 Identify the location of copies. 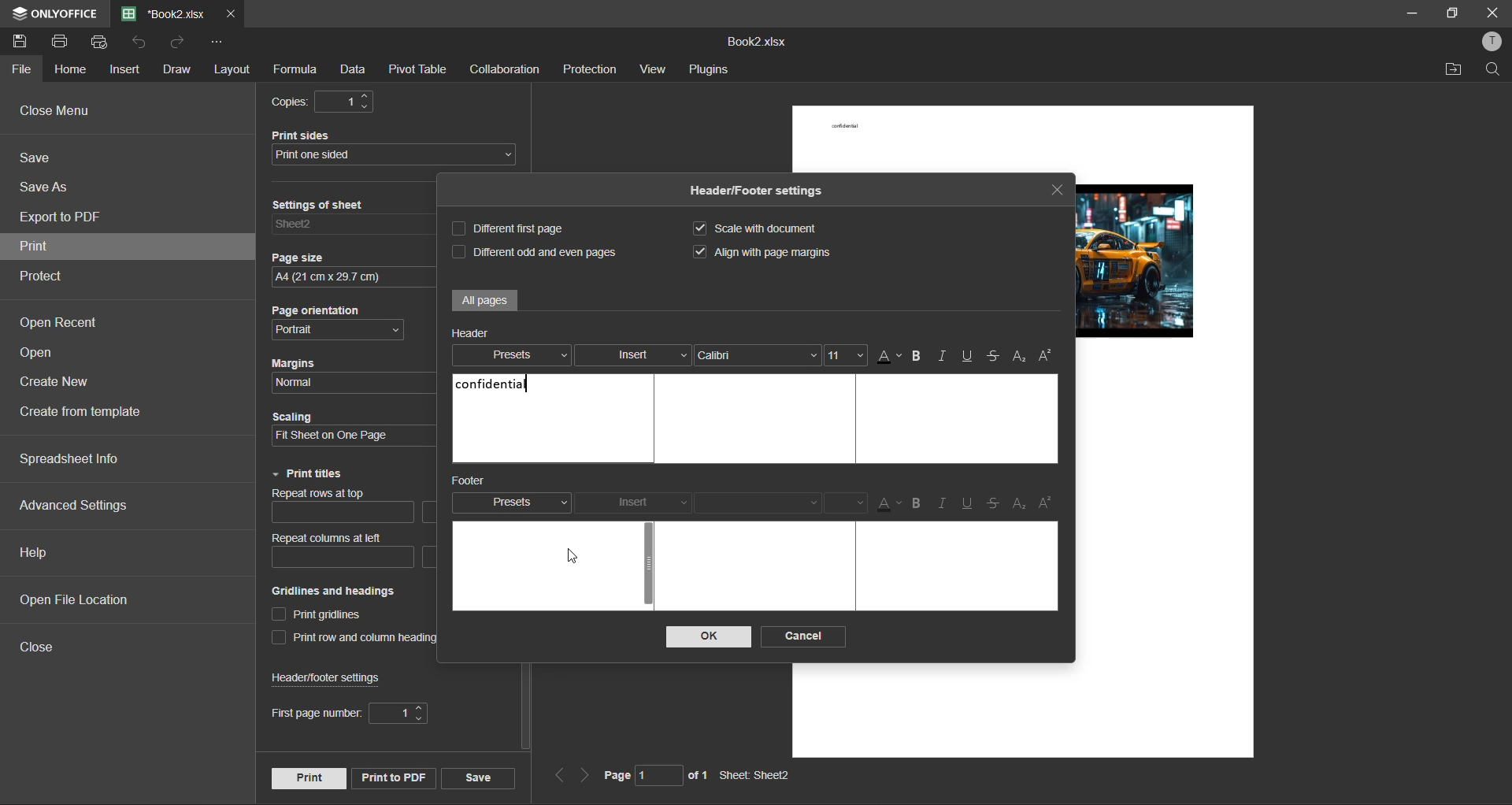
(319, 102).